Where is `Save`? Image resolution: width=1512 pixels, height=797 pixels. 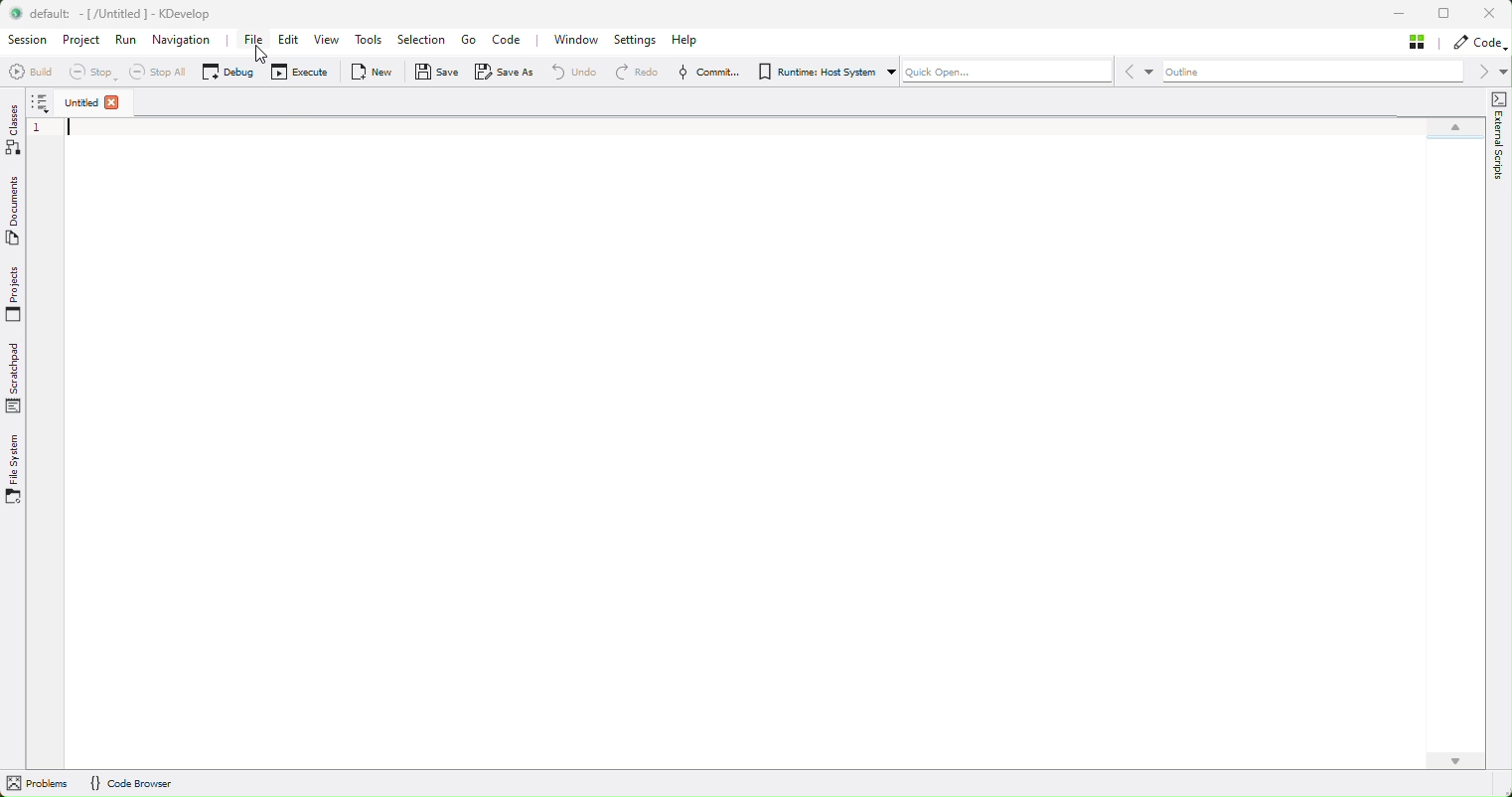
Save is located at coordinates (440, 72).